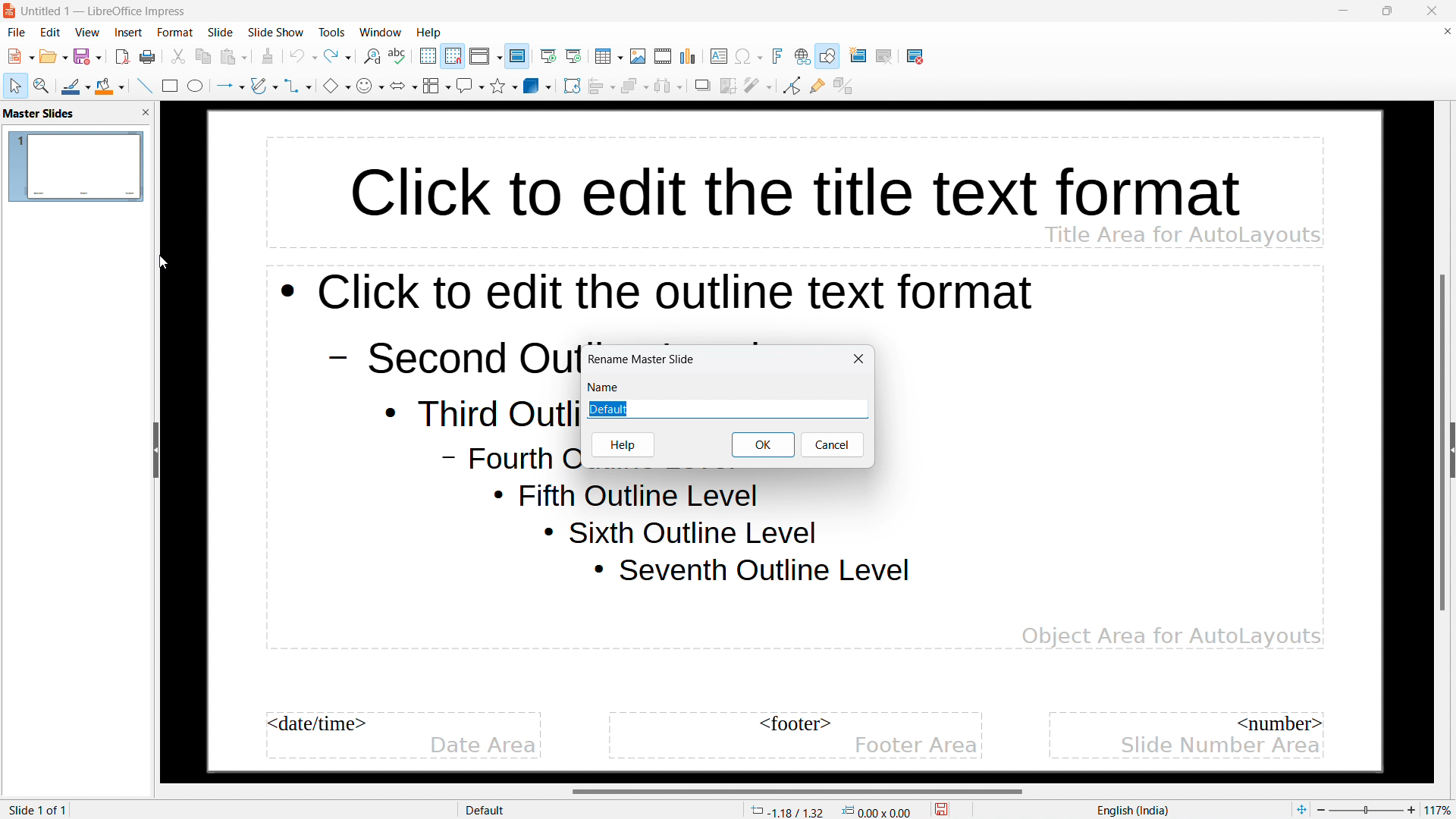 Image resolution: width=1456 pixels, height=819 pixels. I want to click on expand, so click(1451, 450).